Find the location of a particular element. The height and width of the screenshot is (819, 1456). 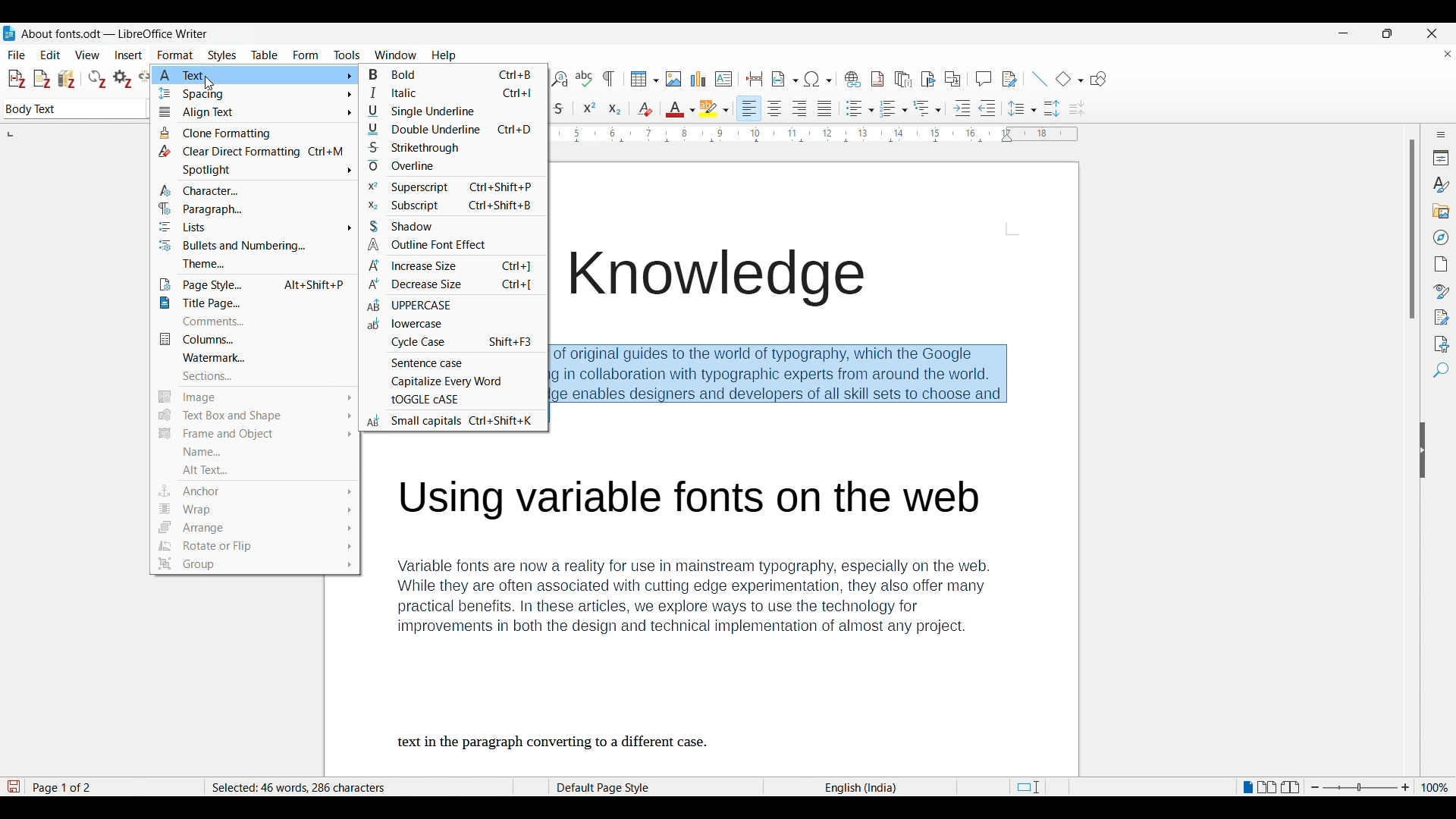

Subscript is located at coordinates (615, 108).